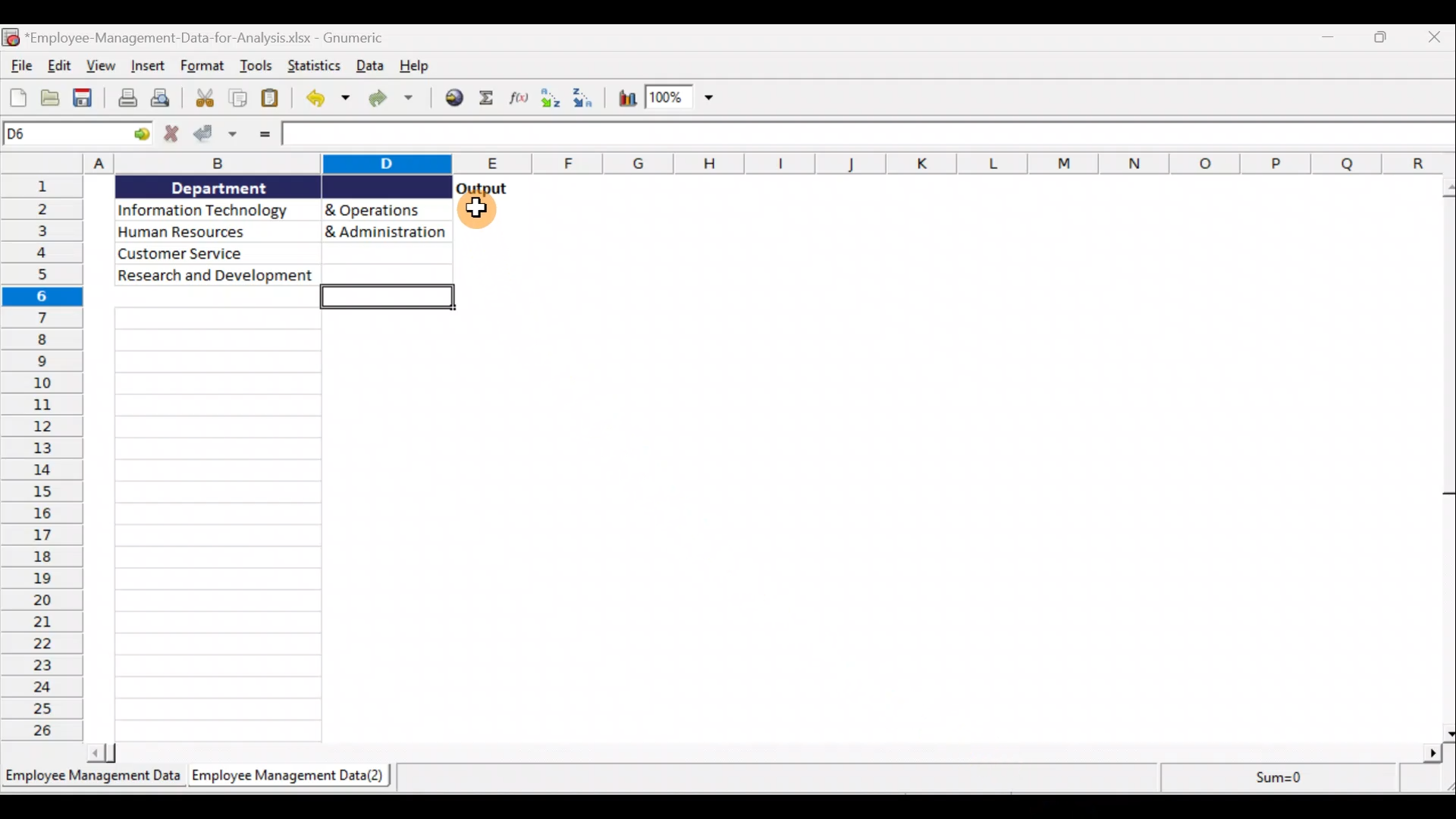 The height and width of the screenshot is (819, 1456). I want to click on scroll bar, so click(1444, 457).